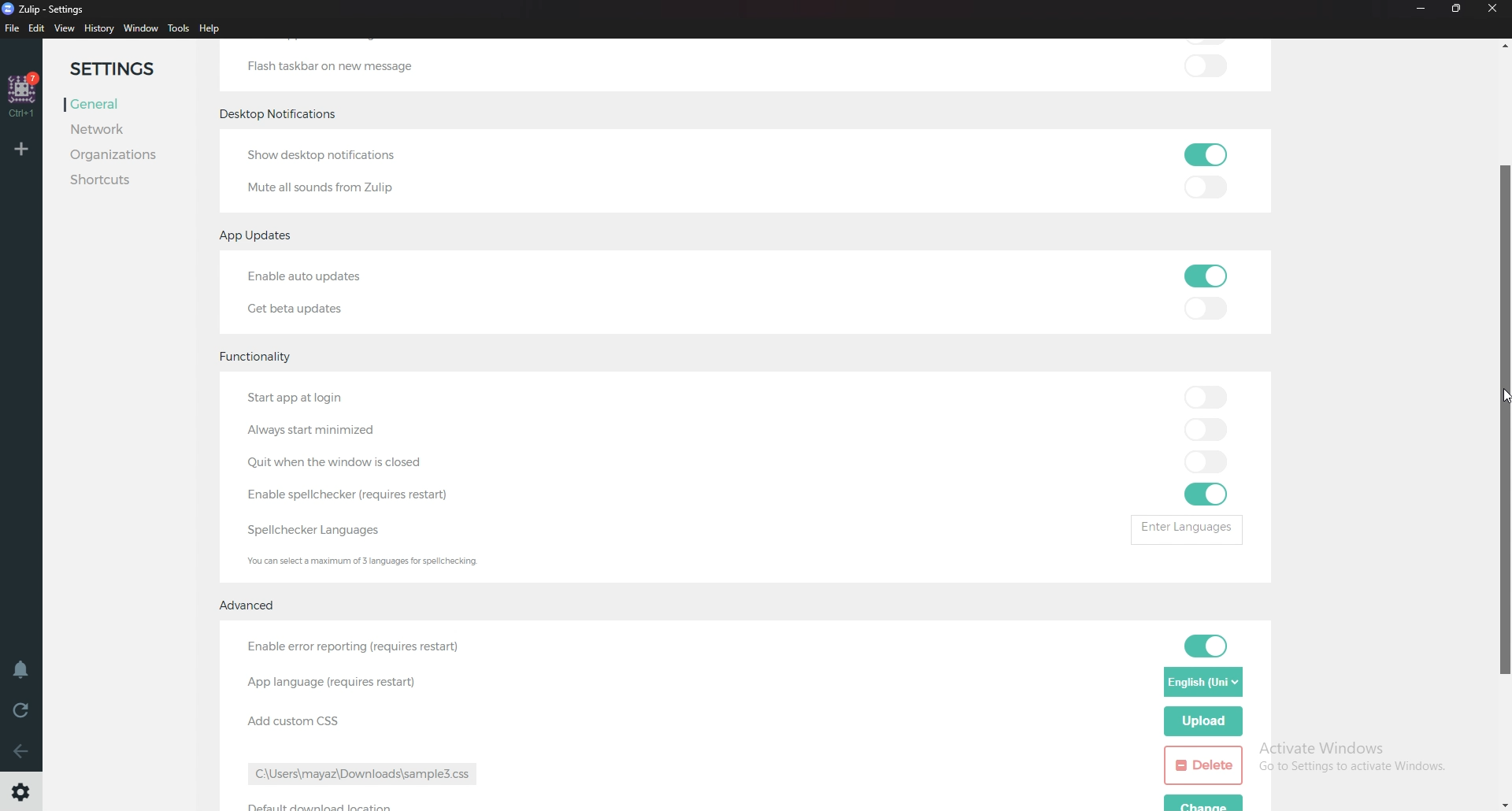 This screenshot has height=811, width=1512. I want to click on Advanced, so click(252, 603).